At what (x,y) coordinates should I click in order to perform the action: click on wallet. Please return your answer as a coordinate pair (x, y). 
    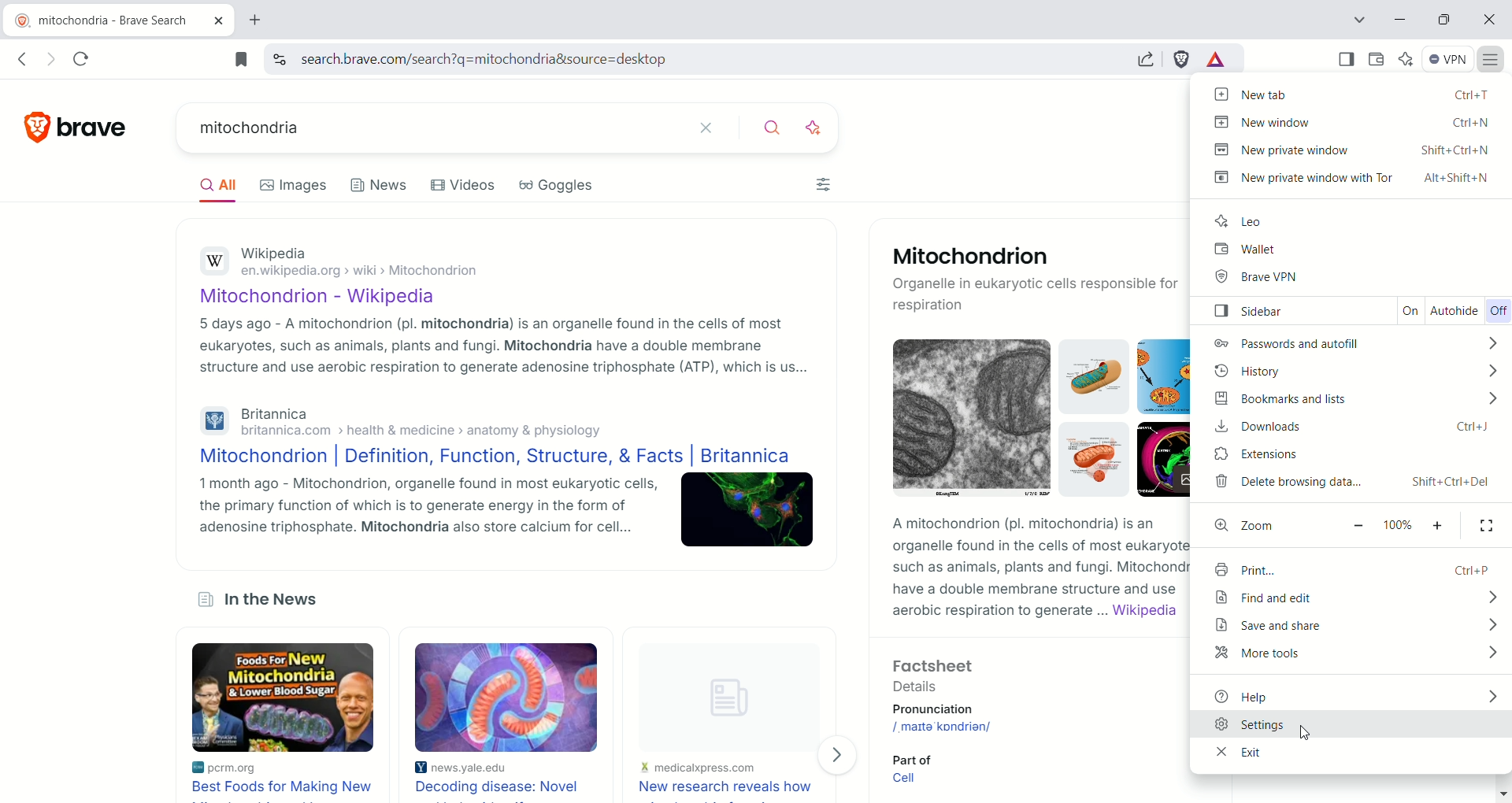
    Looking at the image, I should click on (1376, 59).